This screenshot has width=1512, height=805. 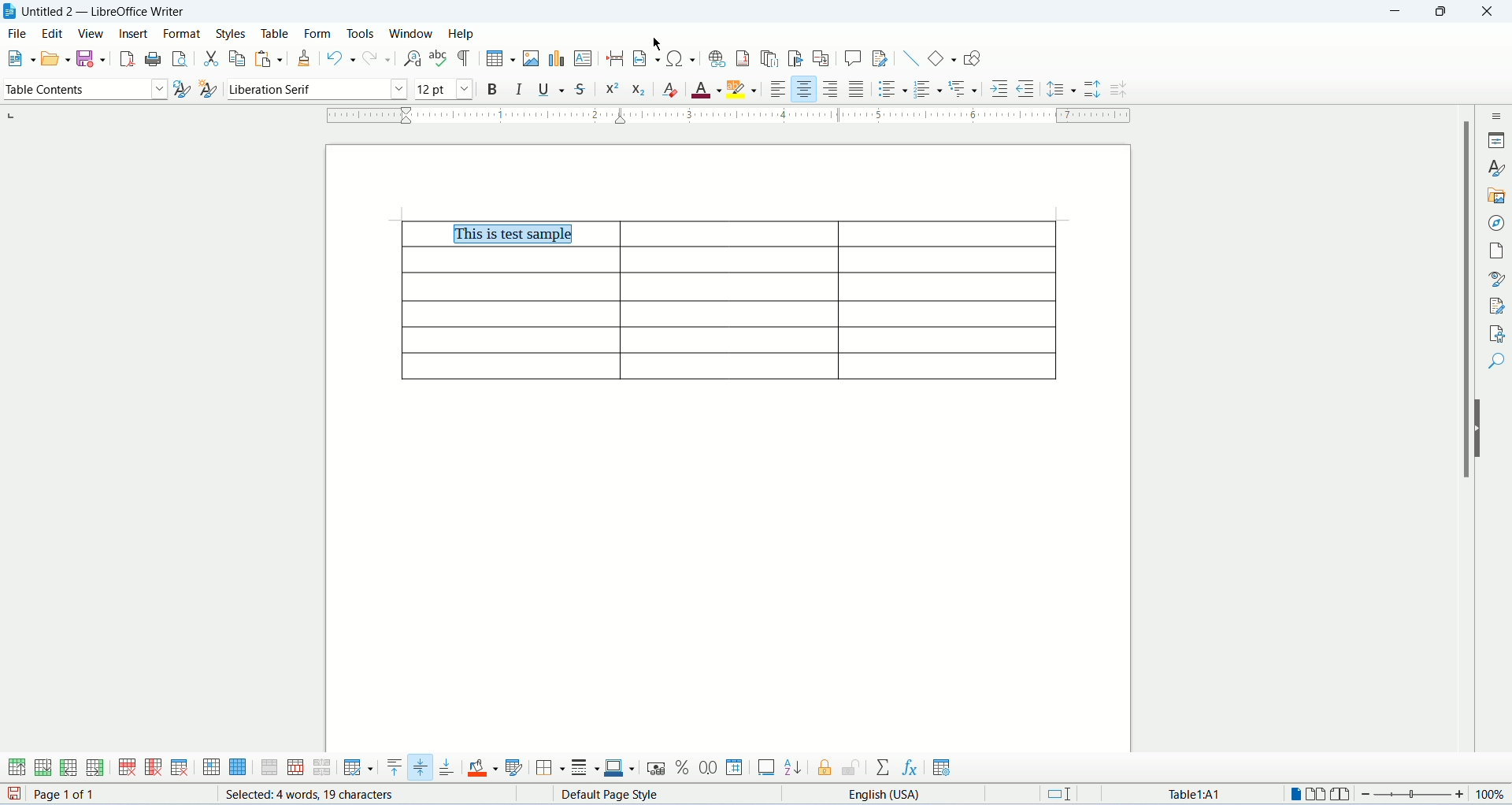 What do you see at coordinates (520, 89) in the screenshot?
I see `italic` at bounding box center [520, 89].